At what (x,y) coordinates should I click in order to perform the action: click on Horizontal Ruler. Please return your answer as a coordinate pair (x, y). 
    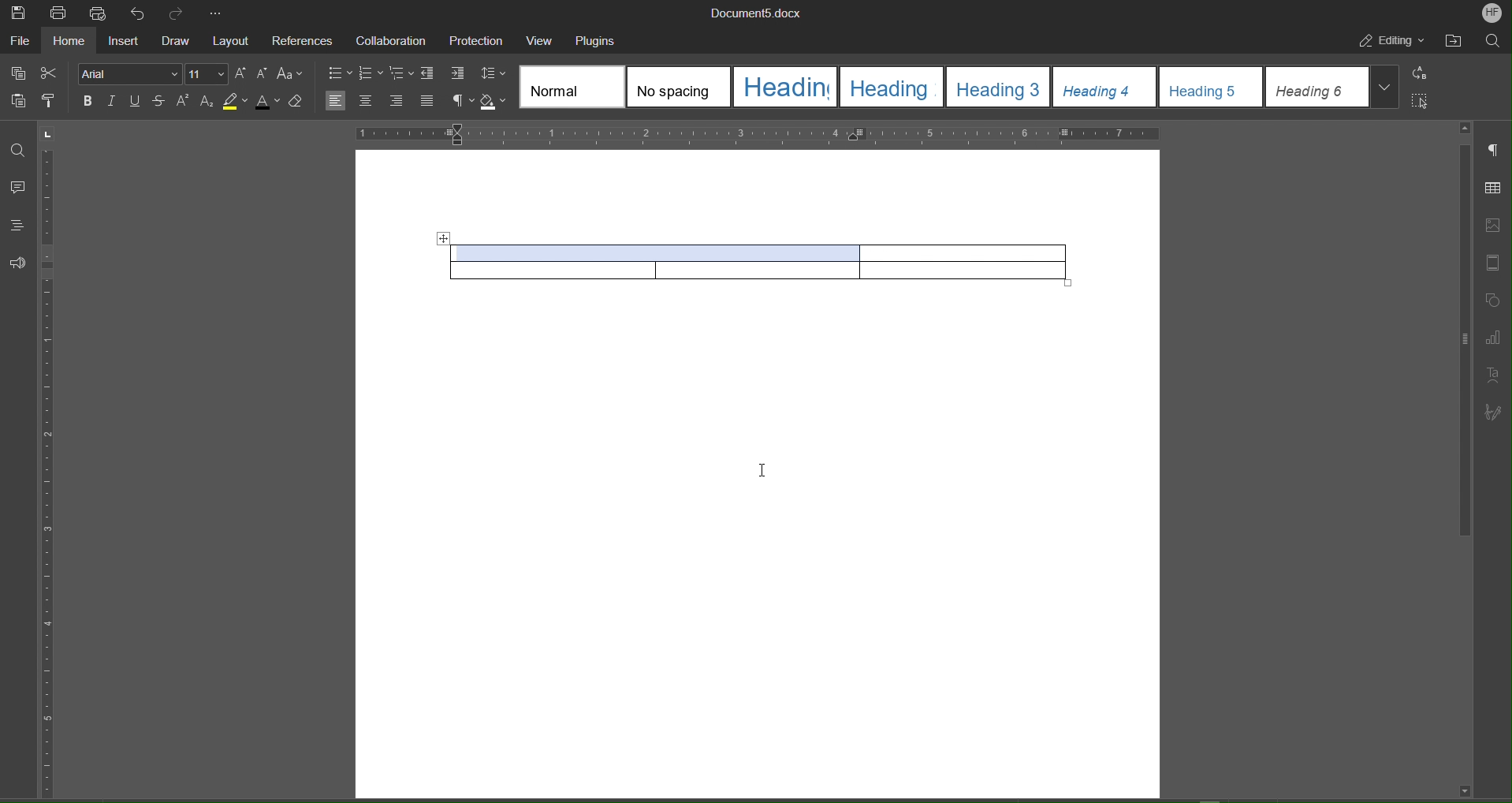
    Looking at the image, I should click on (757, 133).